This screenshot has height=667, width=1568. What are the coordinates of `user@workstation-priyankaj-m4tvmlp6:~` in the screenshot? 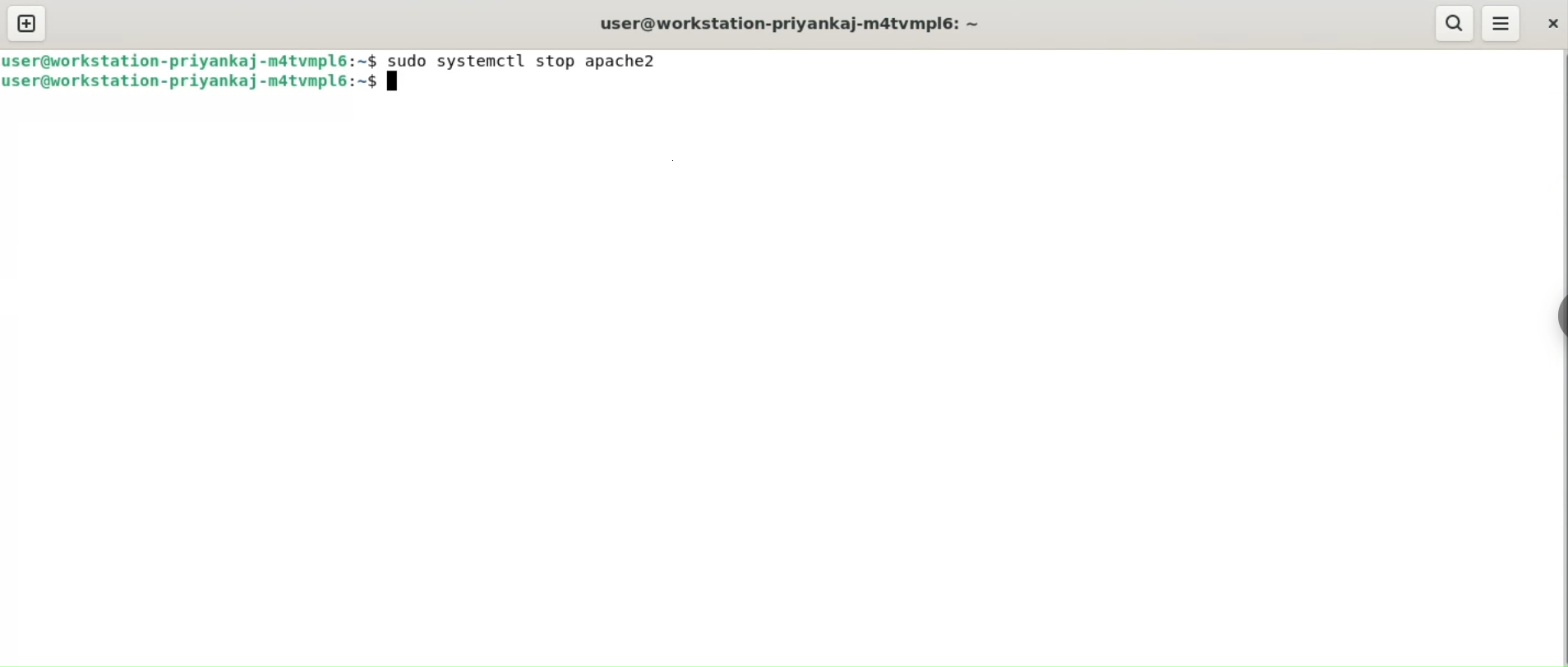 It's located at (792, 23).